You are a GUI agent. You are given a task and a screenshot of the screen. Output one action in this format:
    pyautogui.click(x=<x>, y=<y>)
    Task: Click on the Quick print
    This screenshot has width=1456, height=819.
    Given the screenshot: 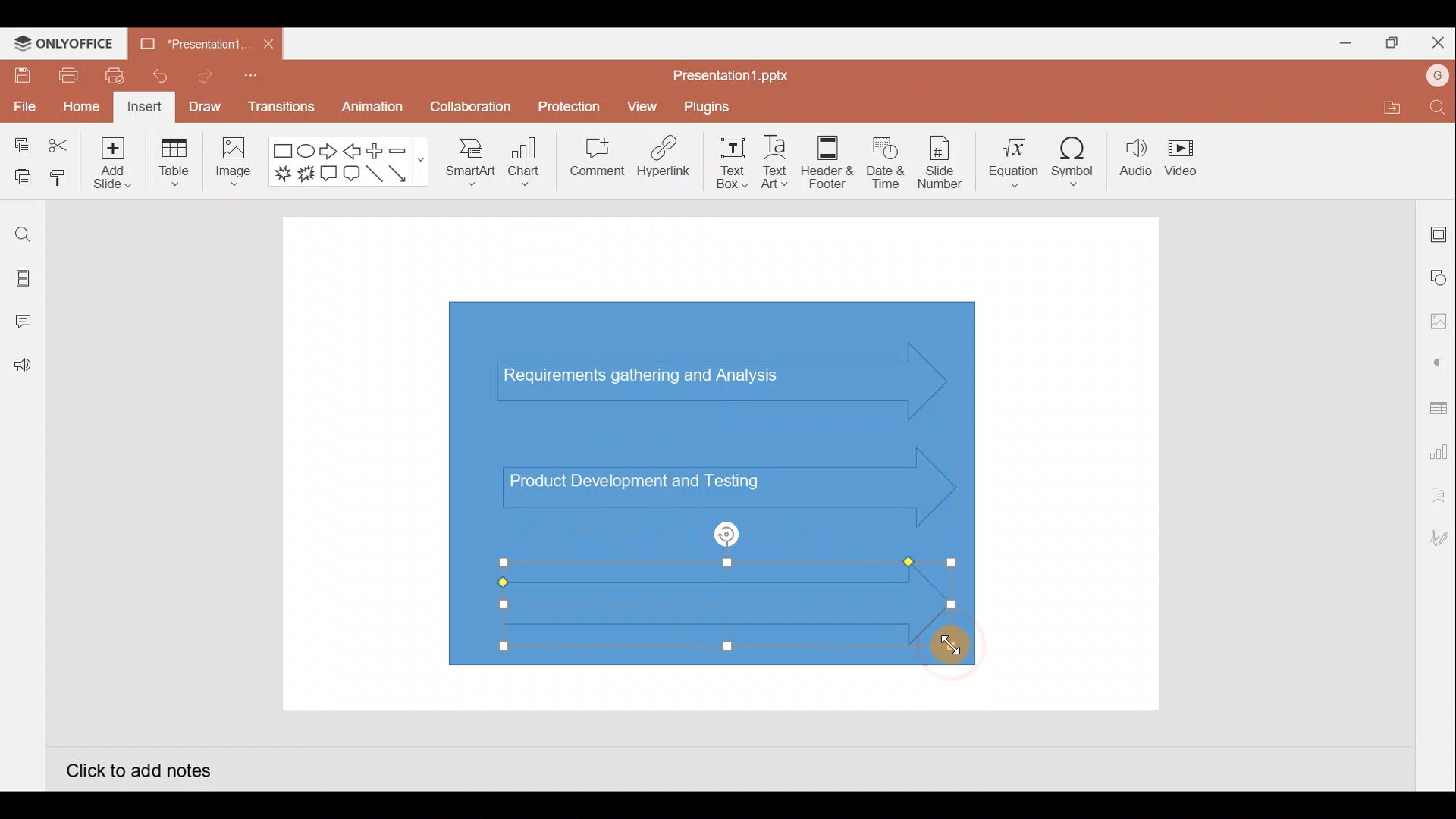 What is the action you would take?
    pyautogui.click(x=110, y=76)
    